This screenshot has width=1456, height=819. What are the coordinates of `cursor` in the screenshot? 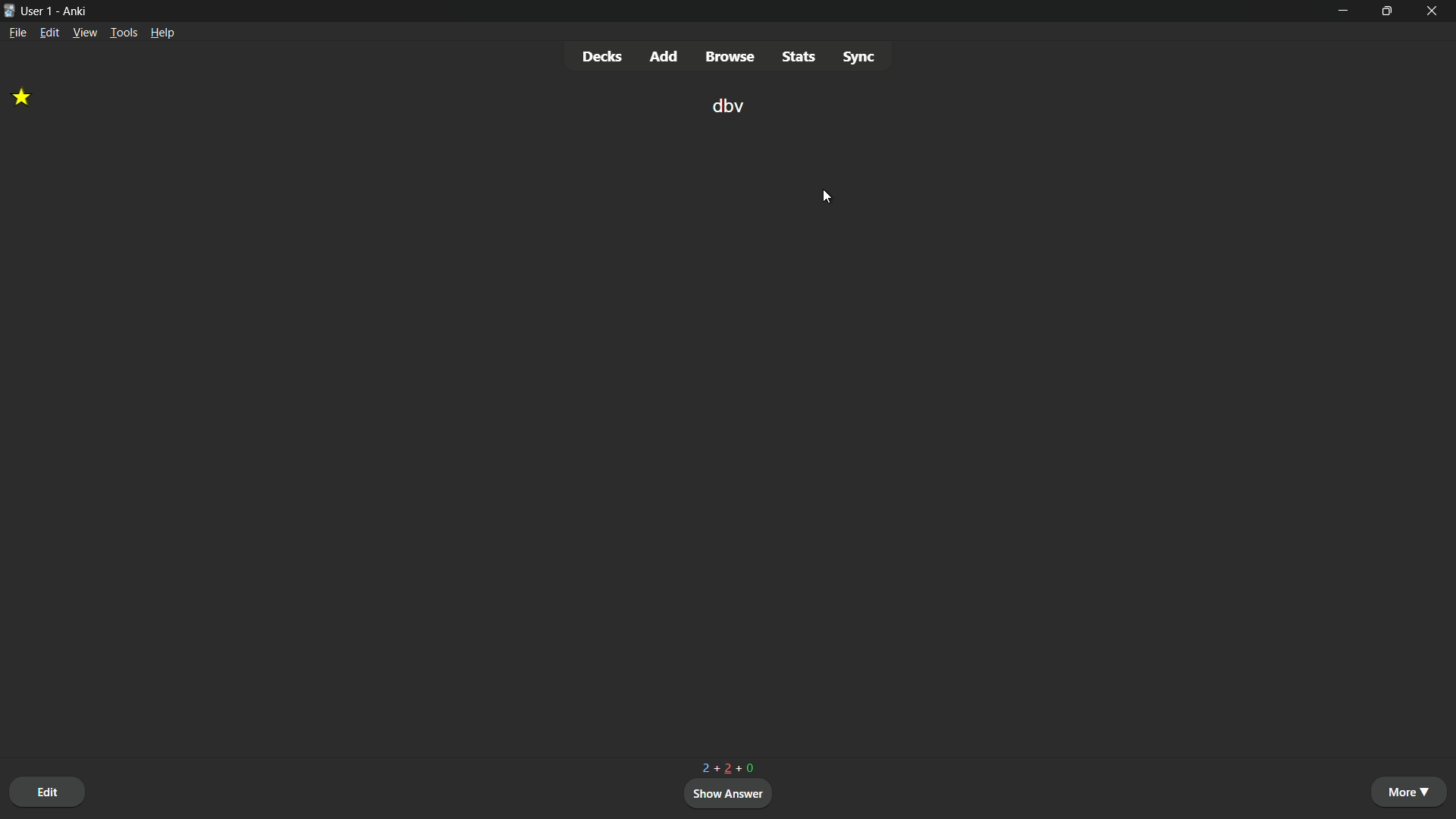 It's located at (825, 196).